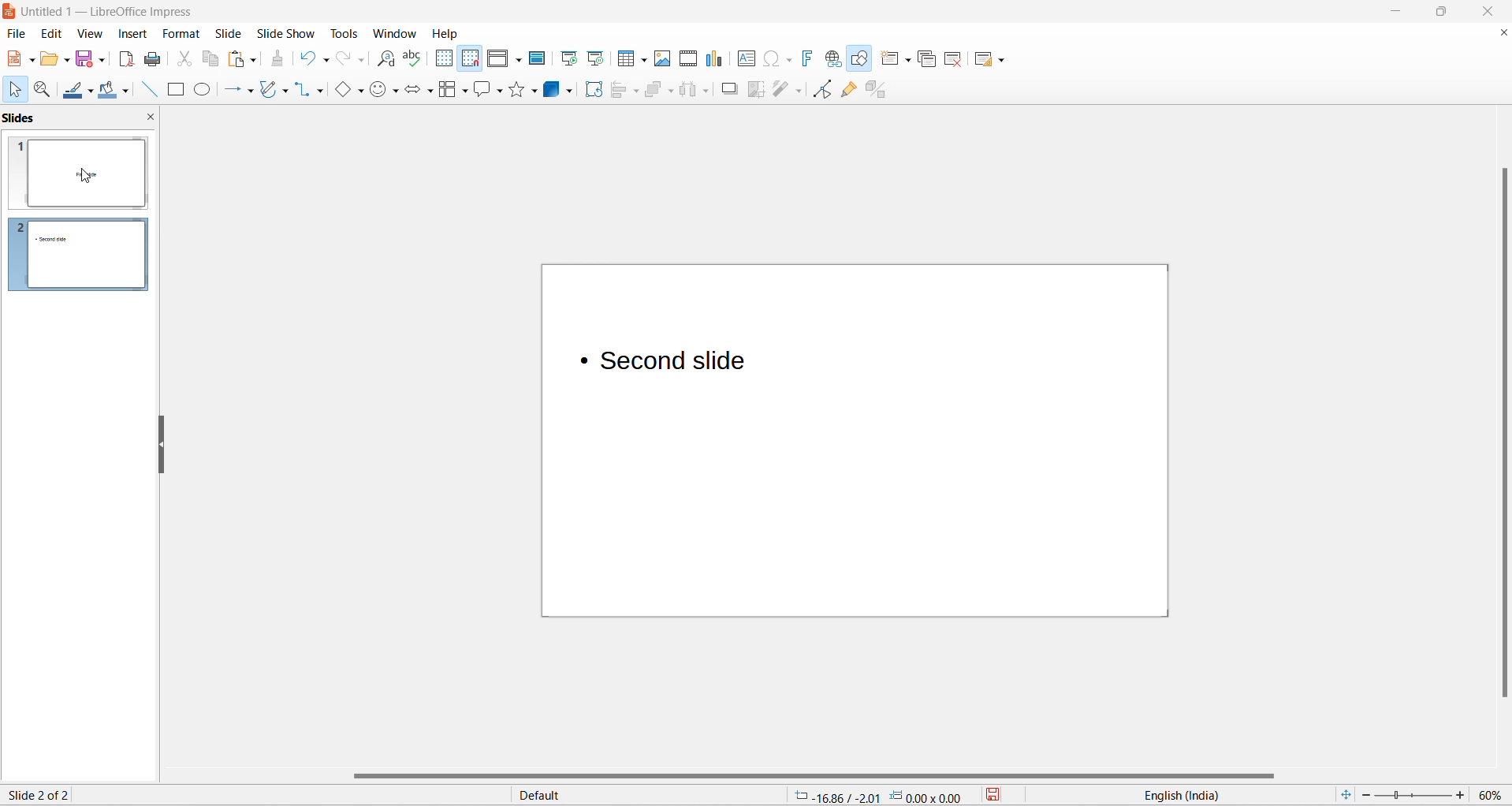  I want to click on current slide, so click(59, 793).